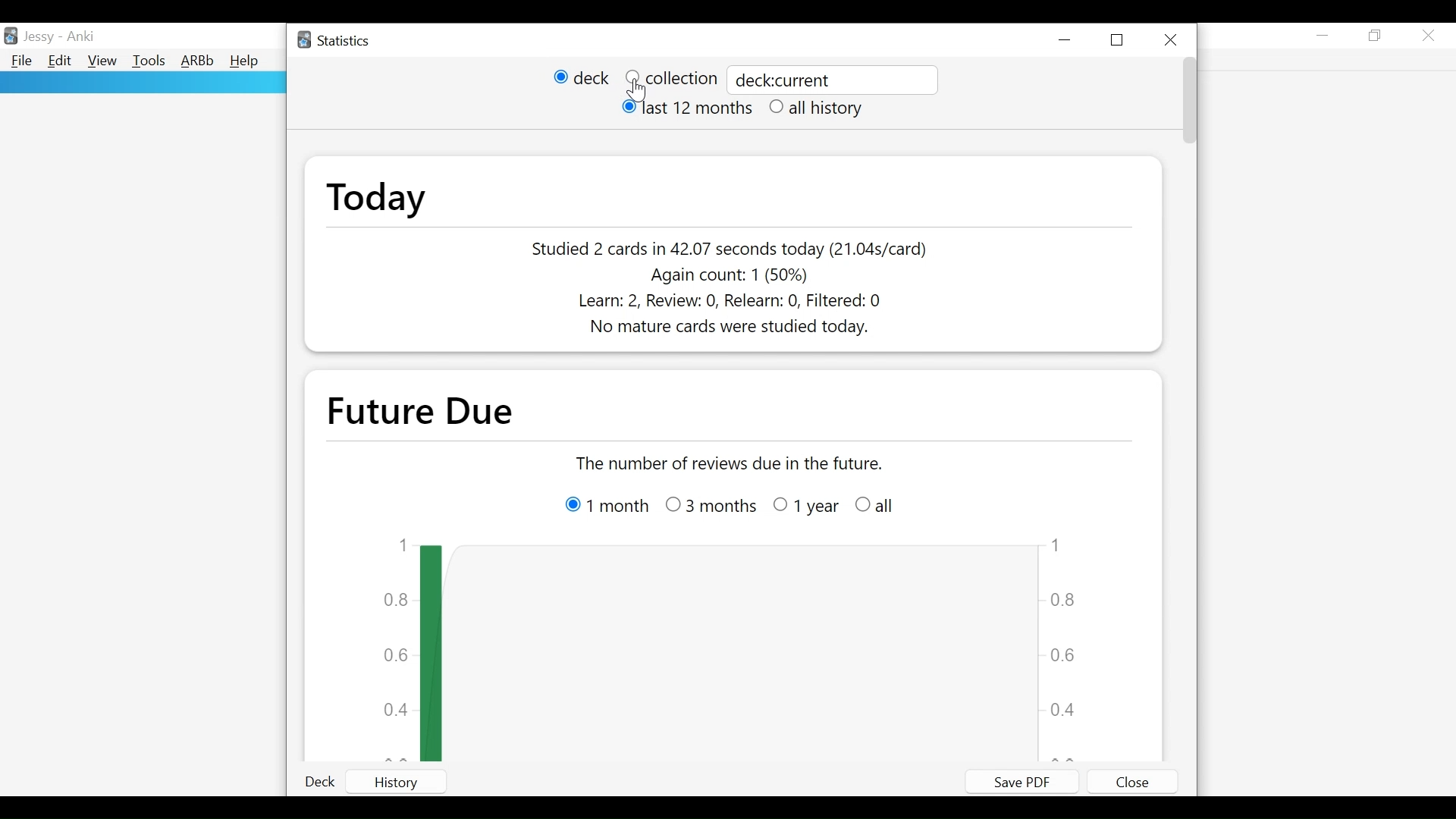 The height and width of the screenshot is (819, 1456). I want to click on Restore, so click(1377, 36).